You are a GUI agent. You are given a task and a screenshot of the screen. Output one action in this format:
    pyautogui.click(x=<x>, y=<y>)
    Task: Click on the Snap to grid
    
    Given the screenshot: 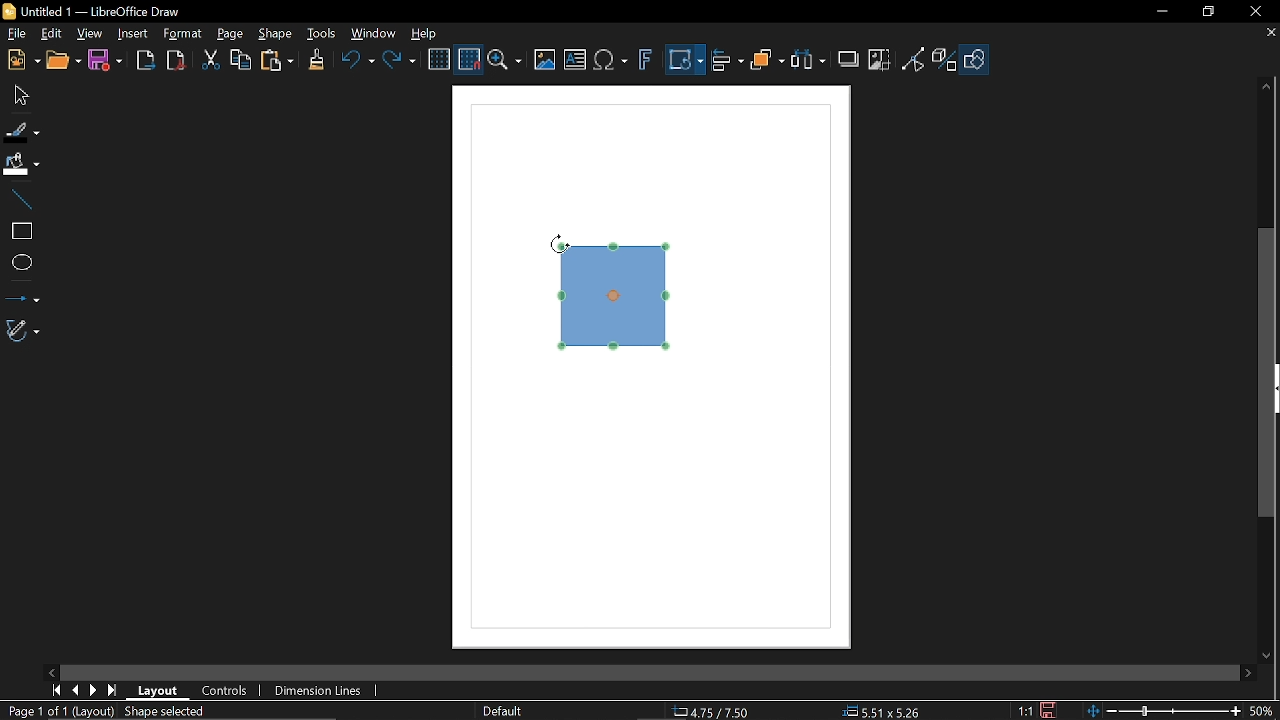 What is the action you would take?
    pyautogui.click(x=470, y=60)
    